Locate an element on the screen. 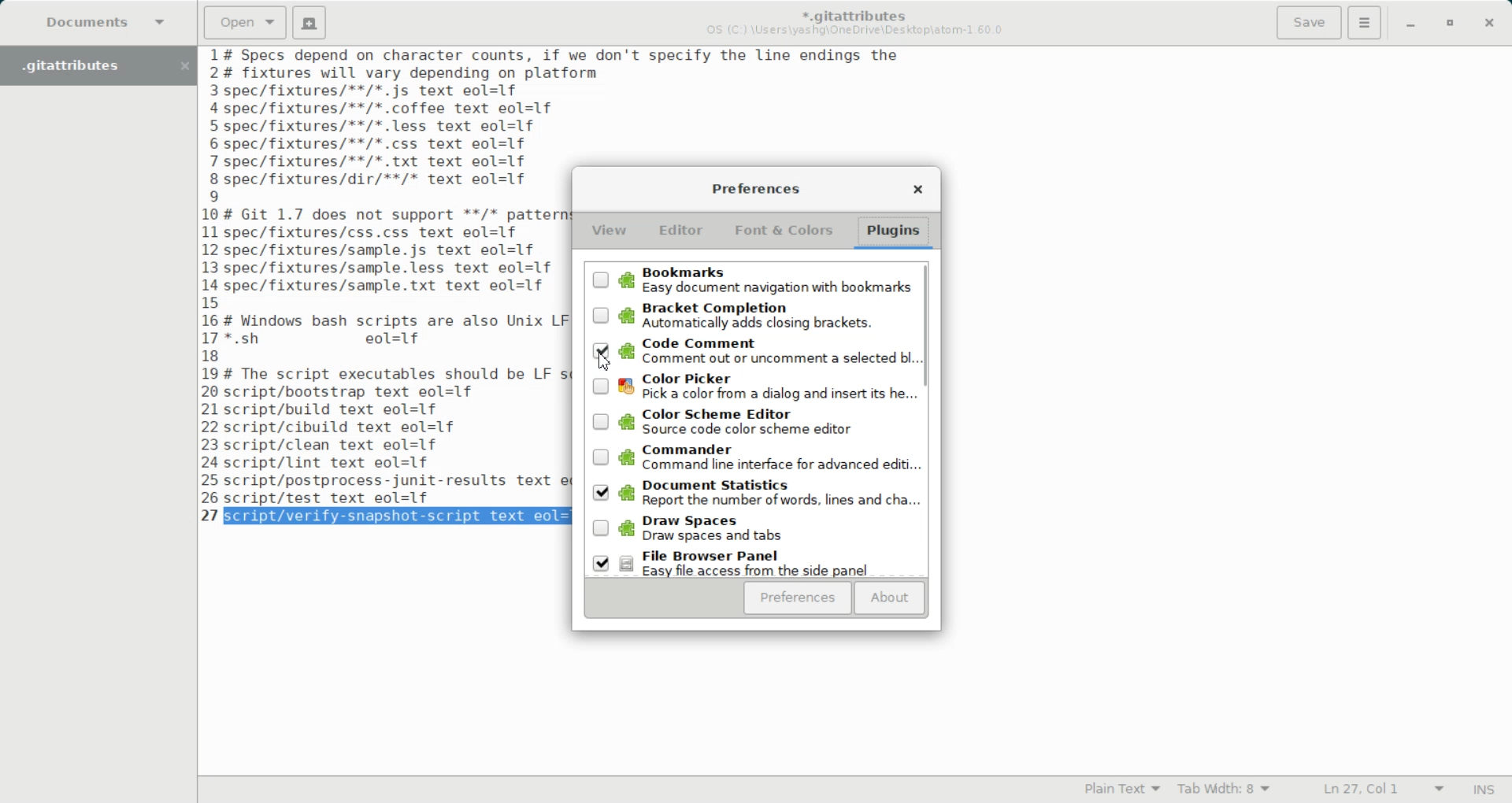 The image size is (1512, 803). Close Folder is located at coordinates (183, 66).